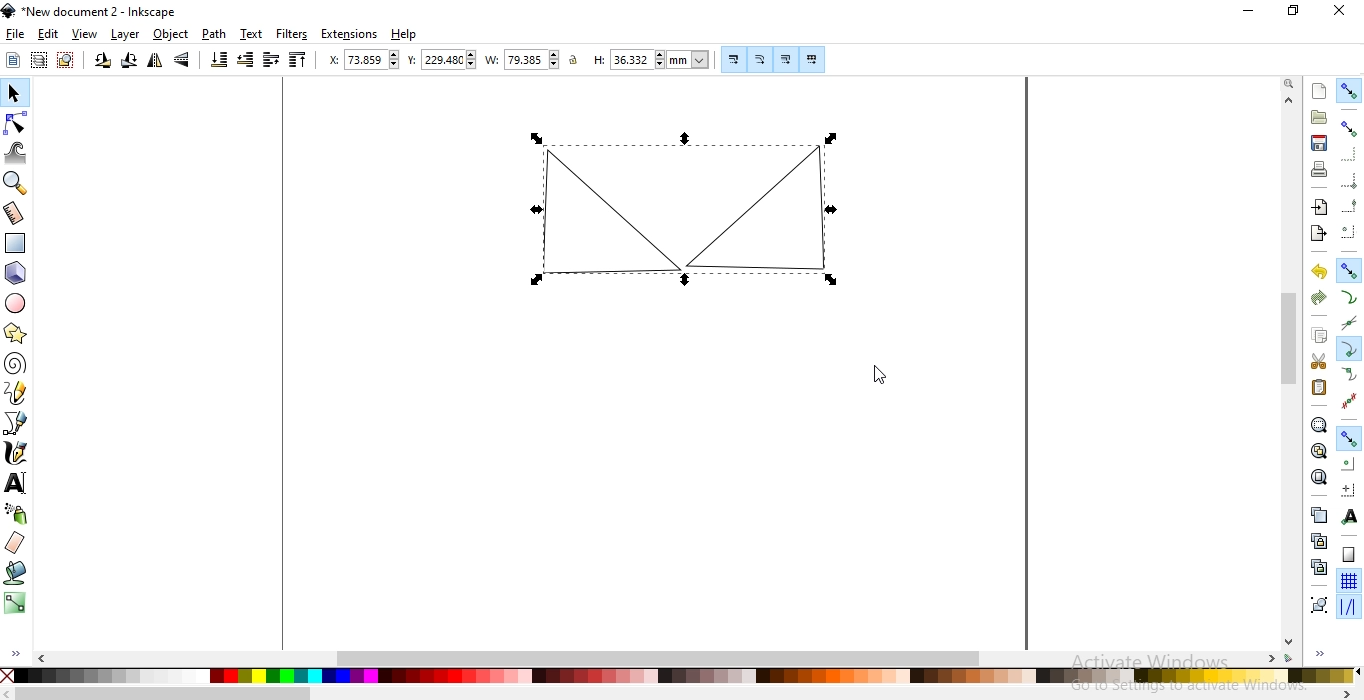 Image resolution: width=1364 pixels, height=700 pixels. Describe the element at coordinates (1320, 337) in the screenshot. I see `copy selection to clipboard` at that location.